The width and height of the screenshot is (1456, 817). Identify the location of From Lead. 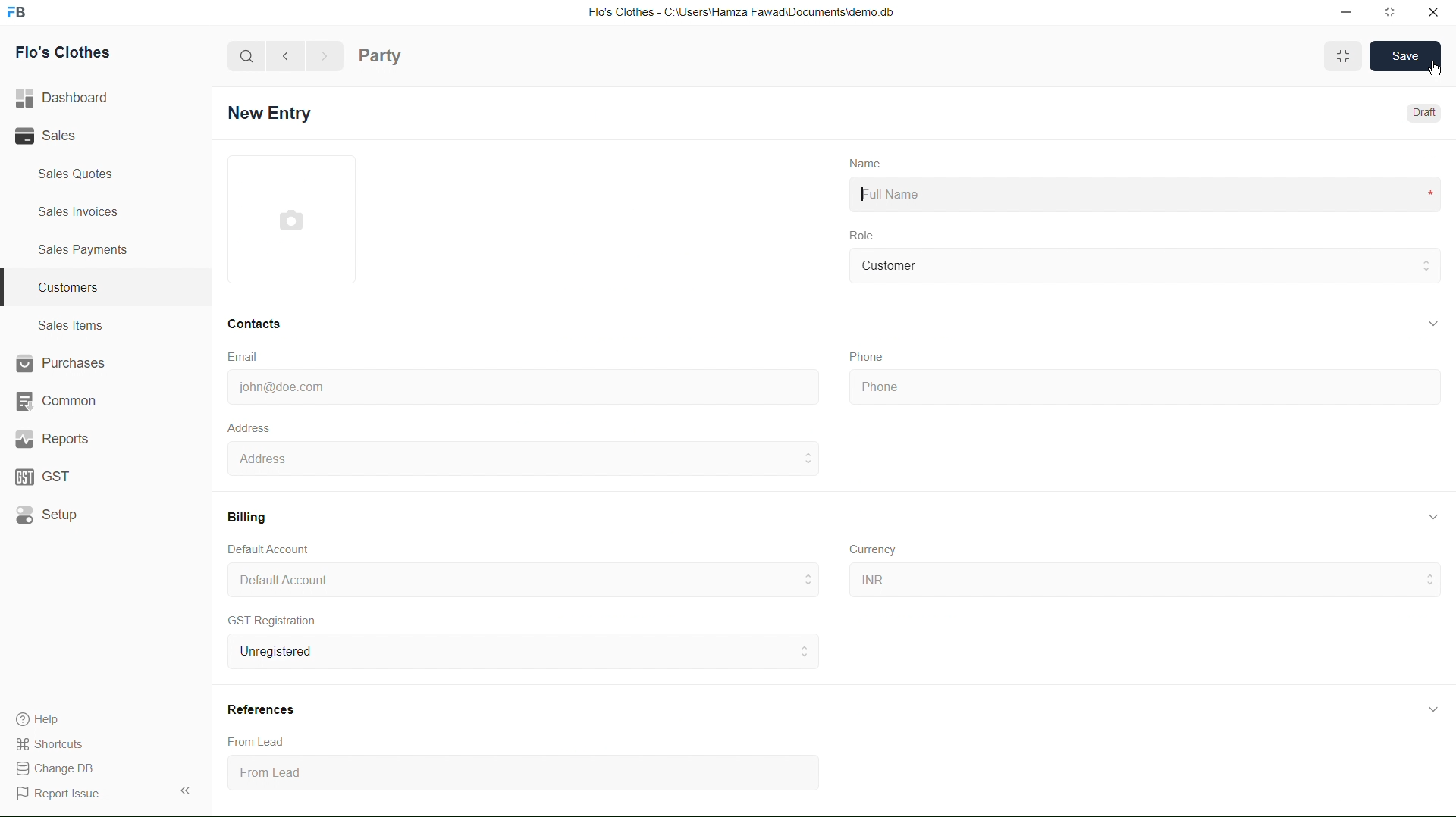
(372, 775).